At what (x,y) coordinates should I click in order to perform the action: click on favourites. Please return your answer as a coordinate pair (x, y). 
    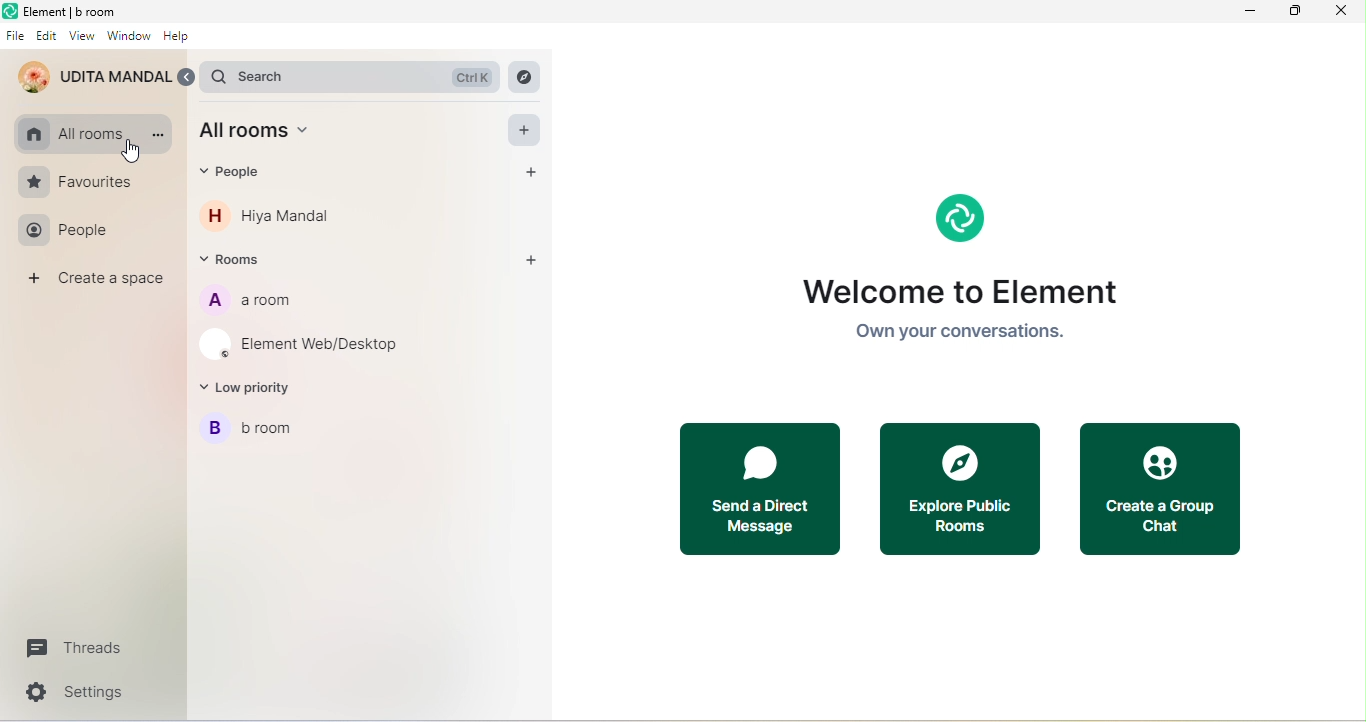
    Looking at the image, I should click on (78, 183).